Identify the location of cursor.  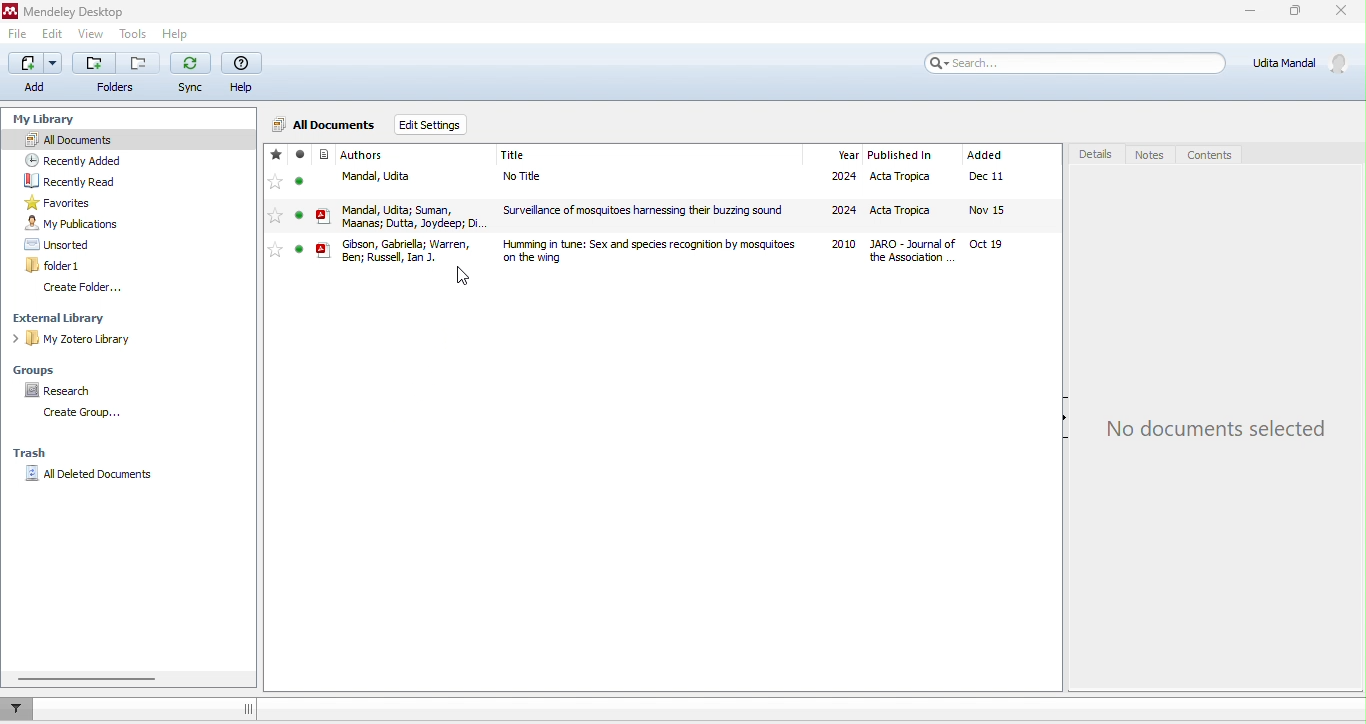
(460, 276).